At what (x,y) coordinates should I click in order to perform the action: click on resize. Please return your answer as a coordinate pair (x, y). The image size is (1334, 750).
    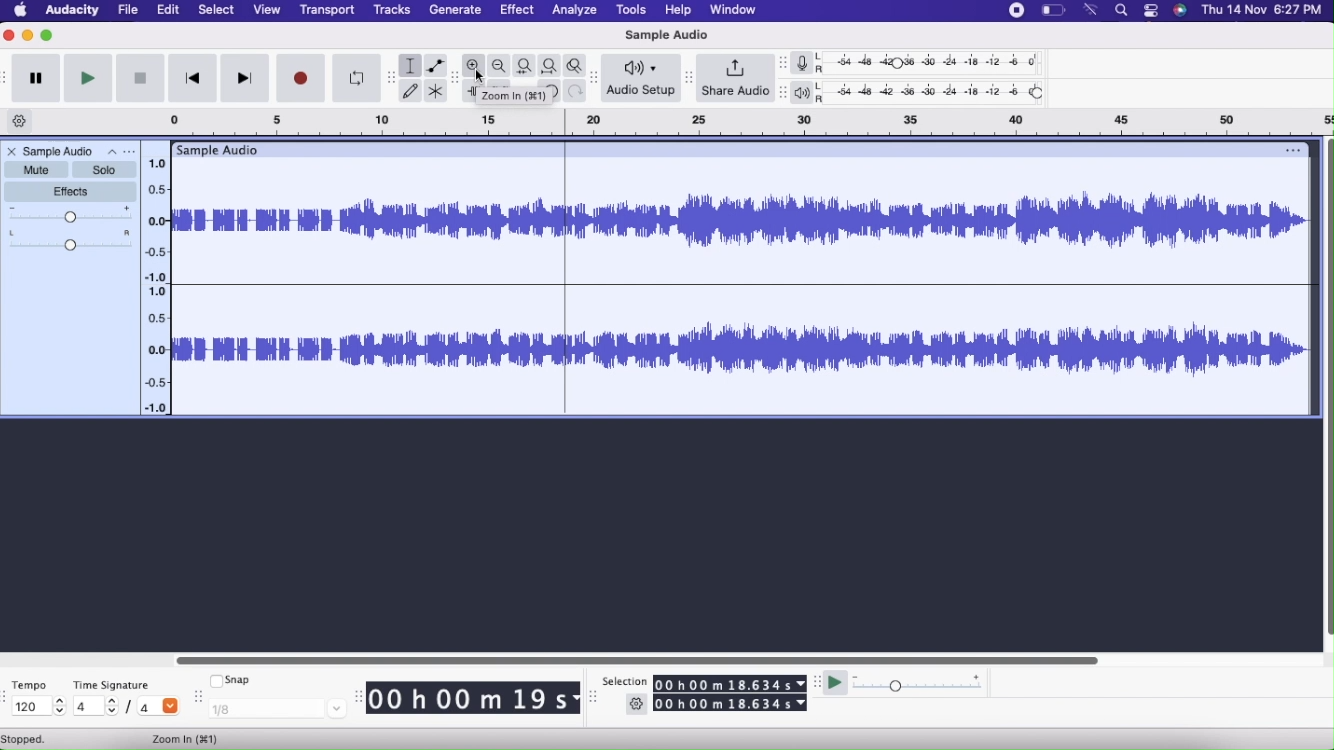
    Looking at the image, I should click on (817, 684).